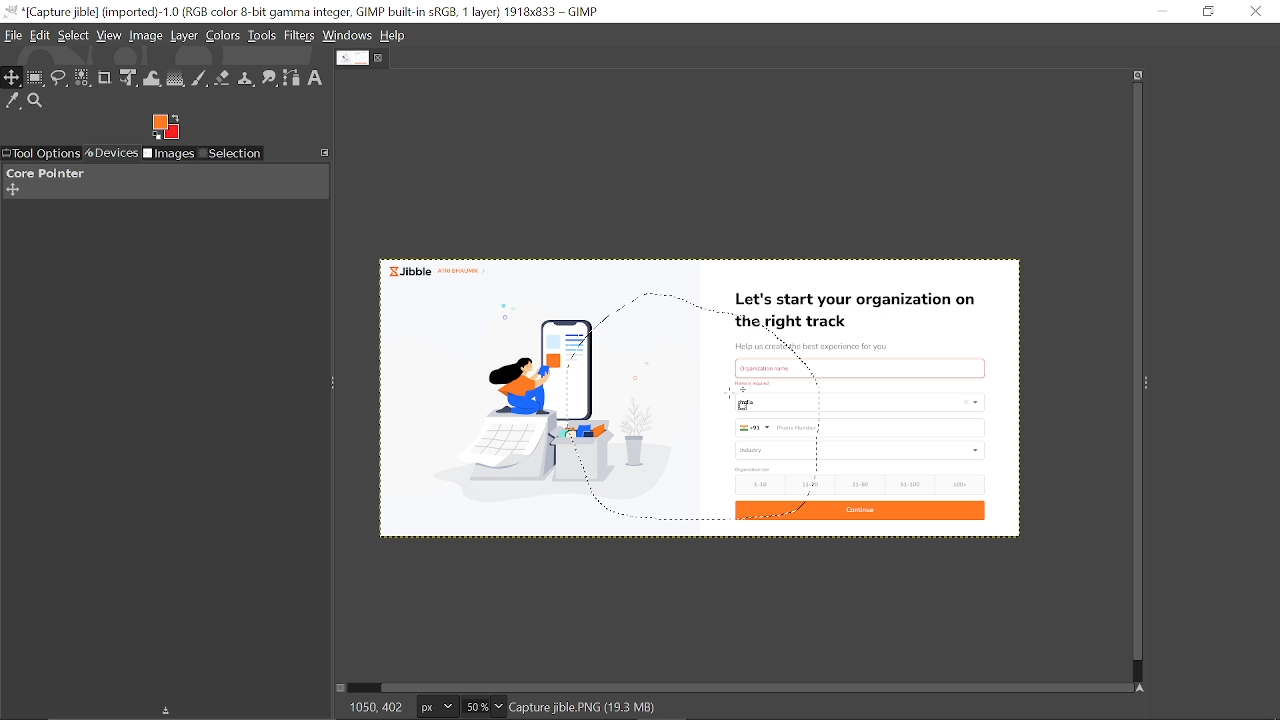  Describe the element at coordinates (347, 35) in the screenshot. I see `Windows` at that location.